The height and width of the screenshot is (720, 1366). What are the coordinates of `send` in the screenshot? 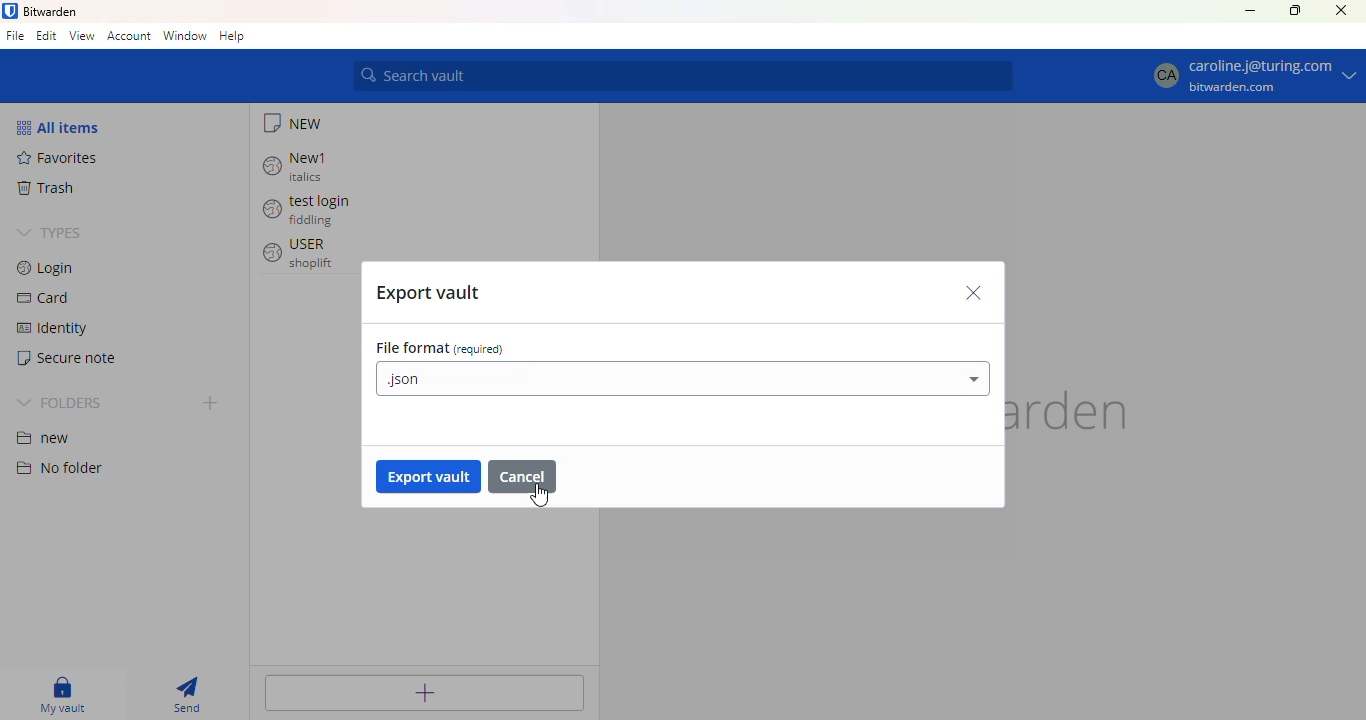 It's located at (185, 694).